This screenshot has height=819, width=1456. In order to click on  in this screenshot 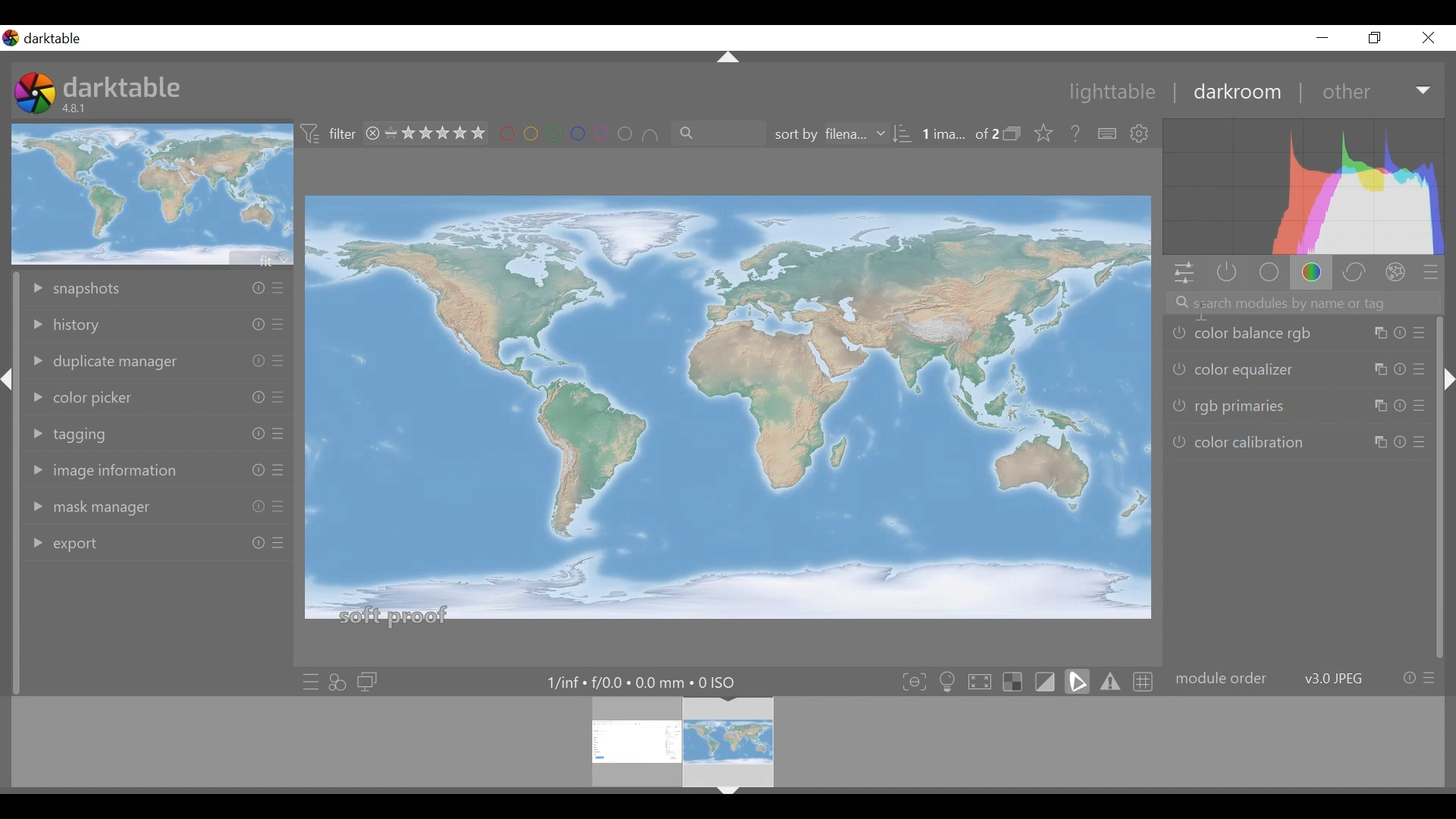, I will do `click(249, 325)`.